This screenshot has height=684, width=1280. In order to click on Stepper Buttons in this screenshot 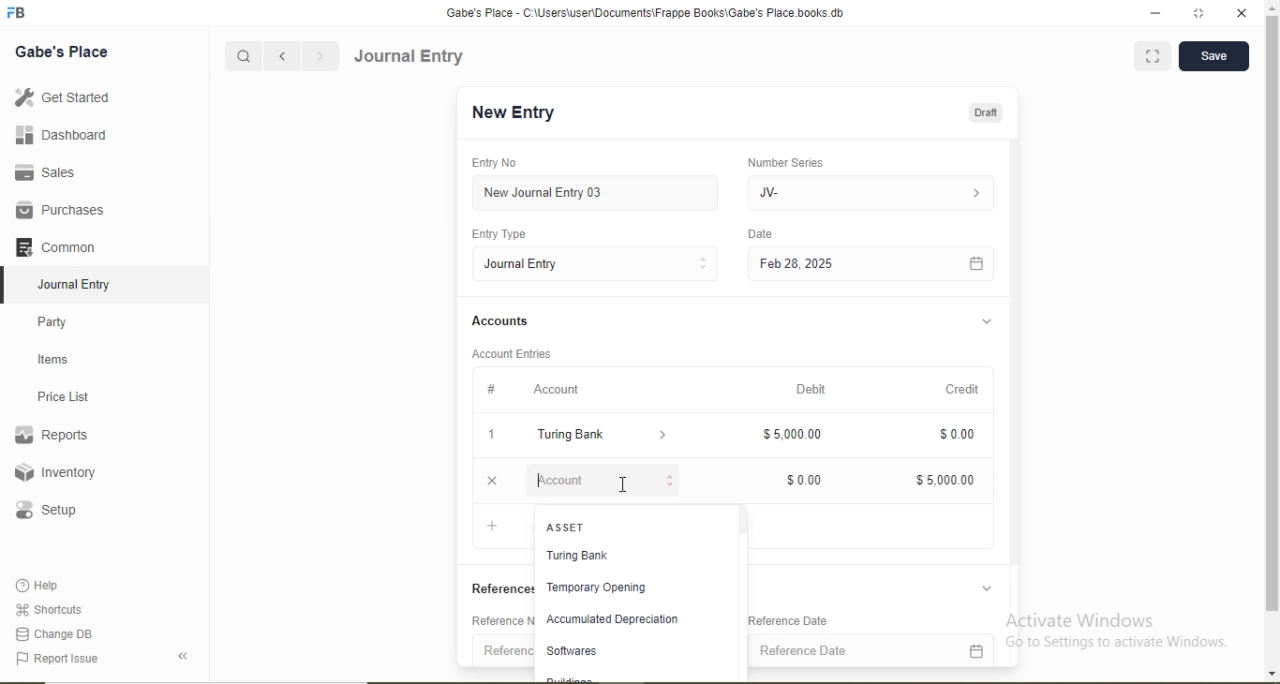, I will do `click(669, 480)`.